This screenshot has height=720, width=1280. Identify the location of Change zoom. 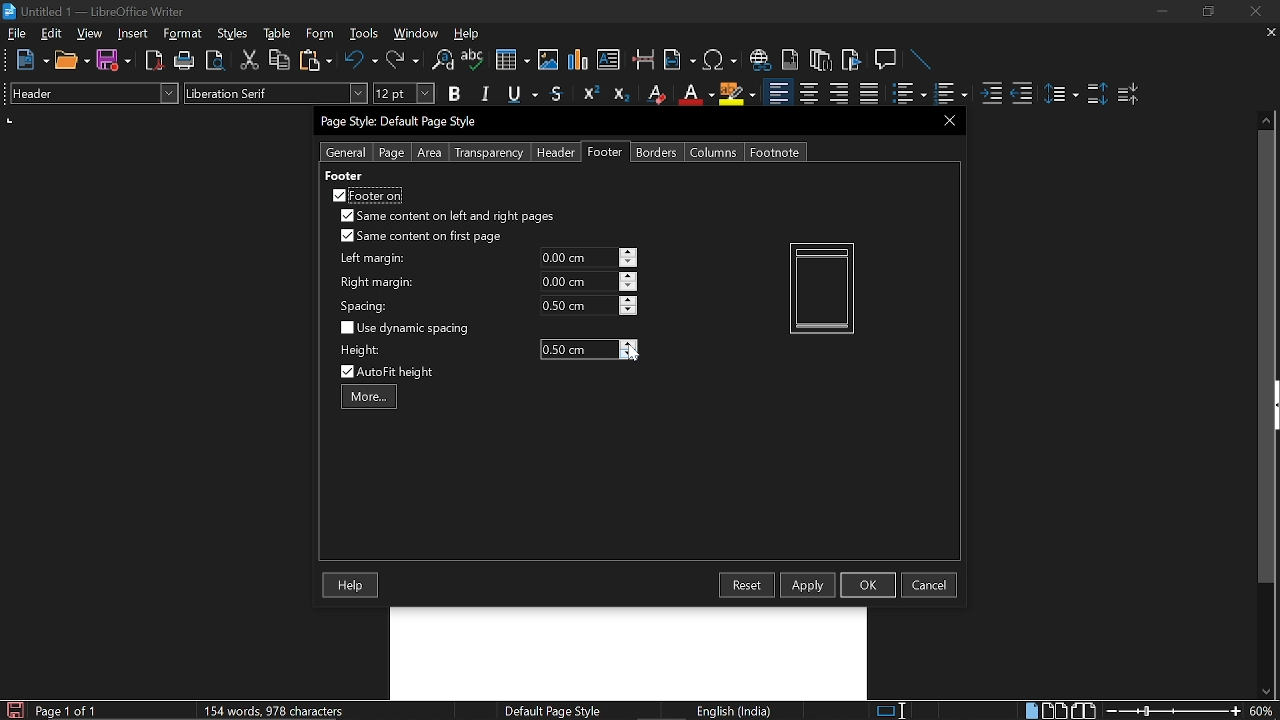
(1174, 711).